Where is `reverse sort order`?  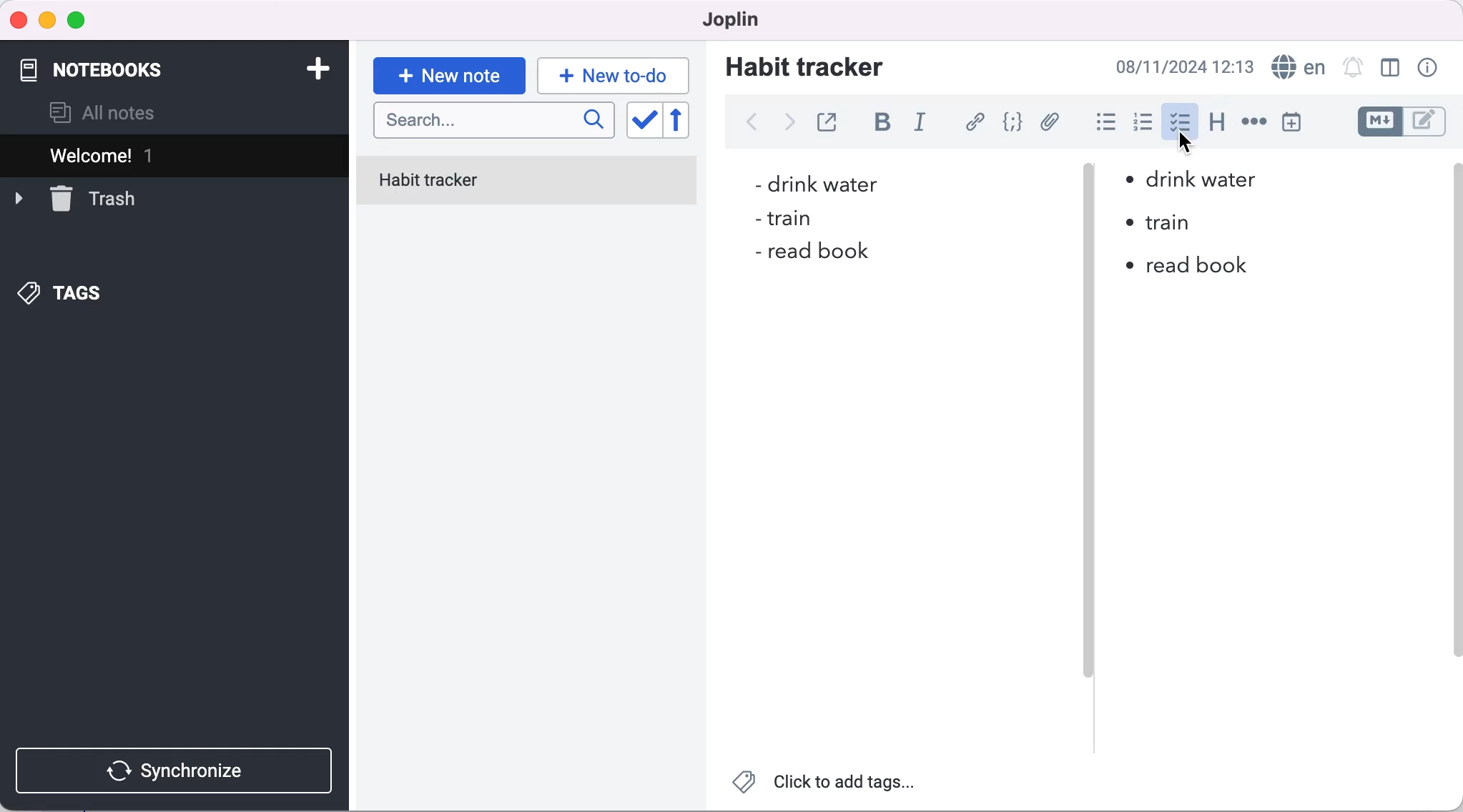 reverse sort order is located at coordinates (686, 121).